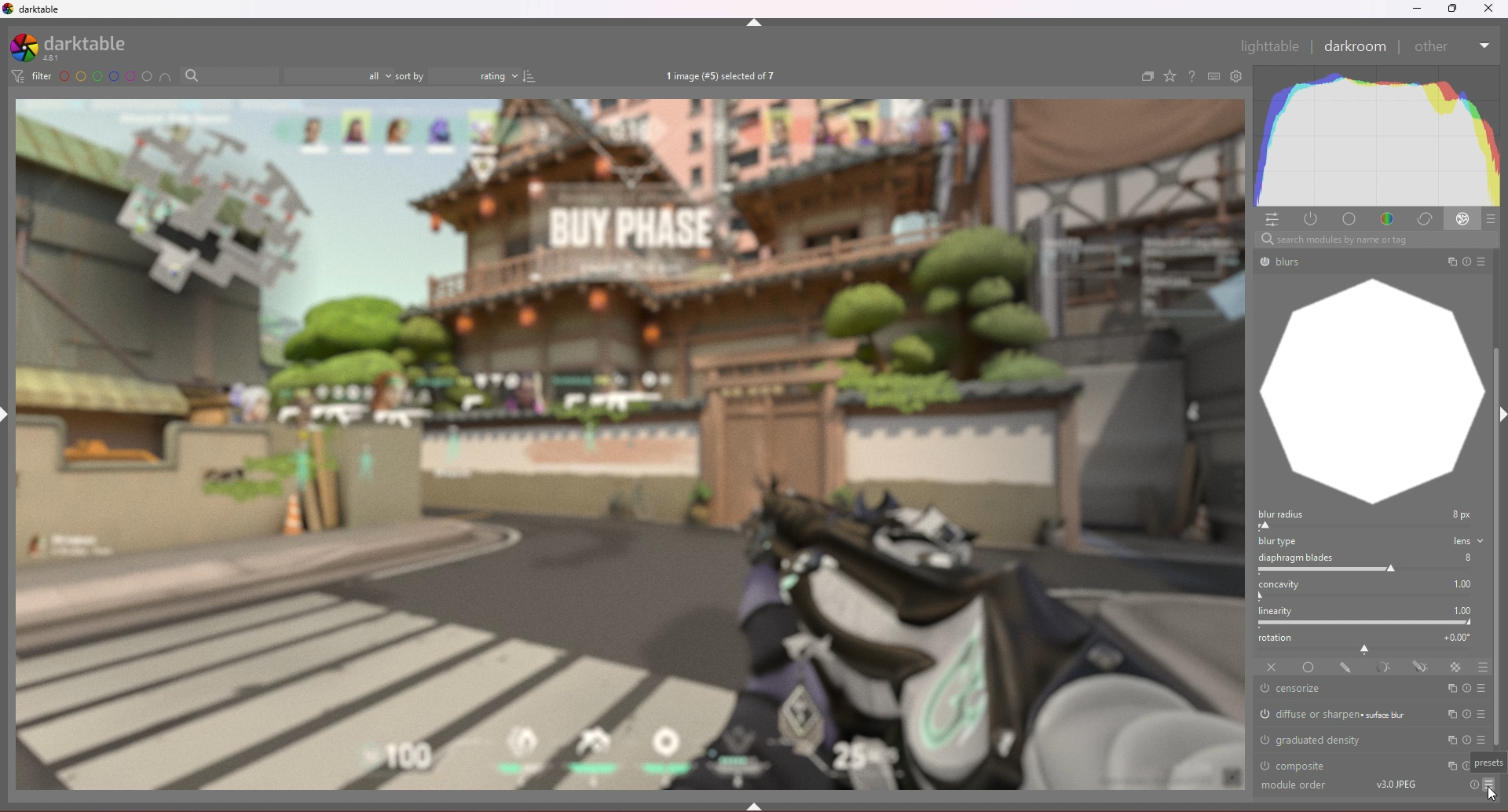 Image resolution: width=1508 pixels, height=812 pixels. Describe the element at coordinates (1489, 262) in the screenshot. I see `` at that location.